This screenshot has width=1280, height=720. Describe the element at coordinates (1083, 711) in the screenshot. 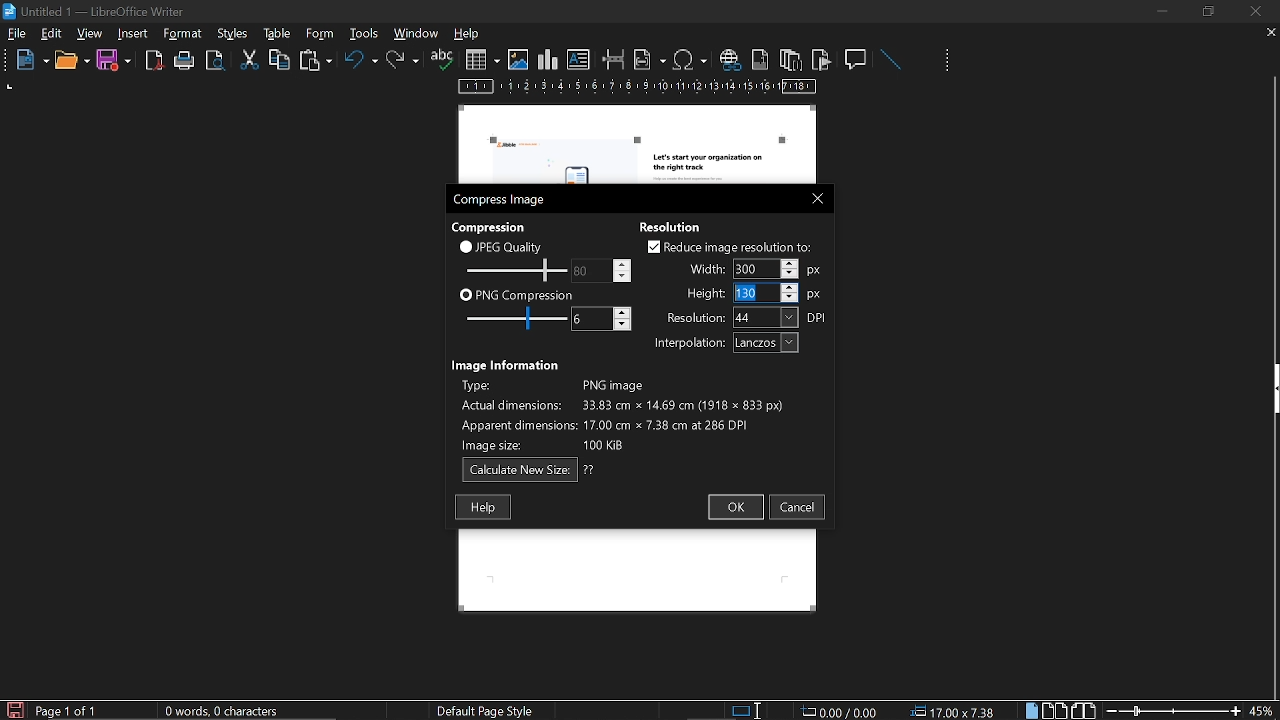

I see `book view` at that location.